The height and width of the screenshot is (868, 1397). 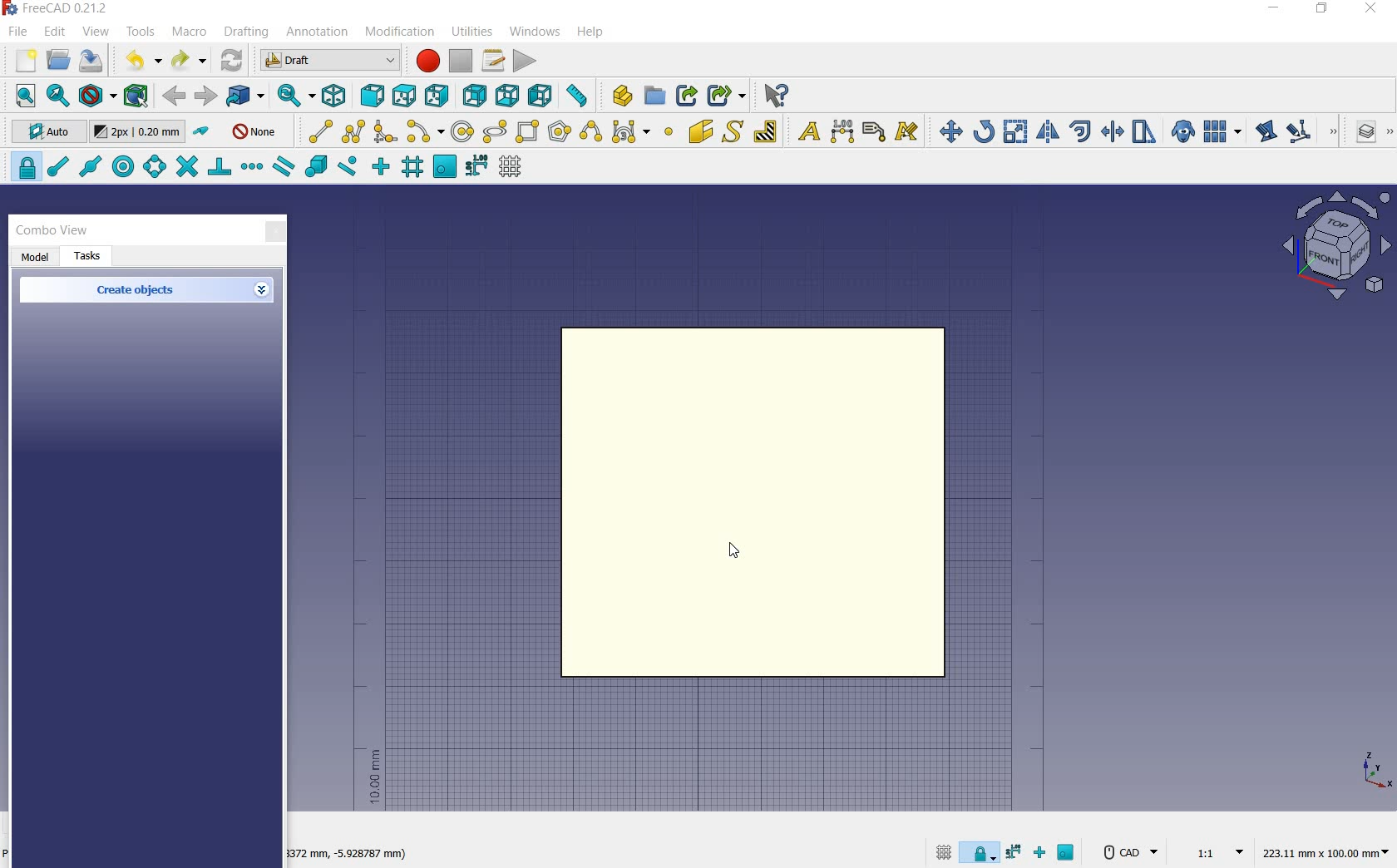 I want to click on tasks, so click(x=89, y=257).